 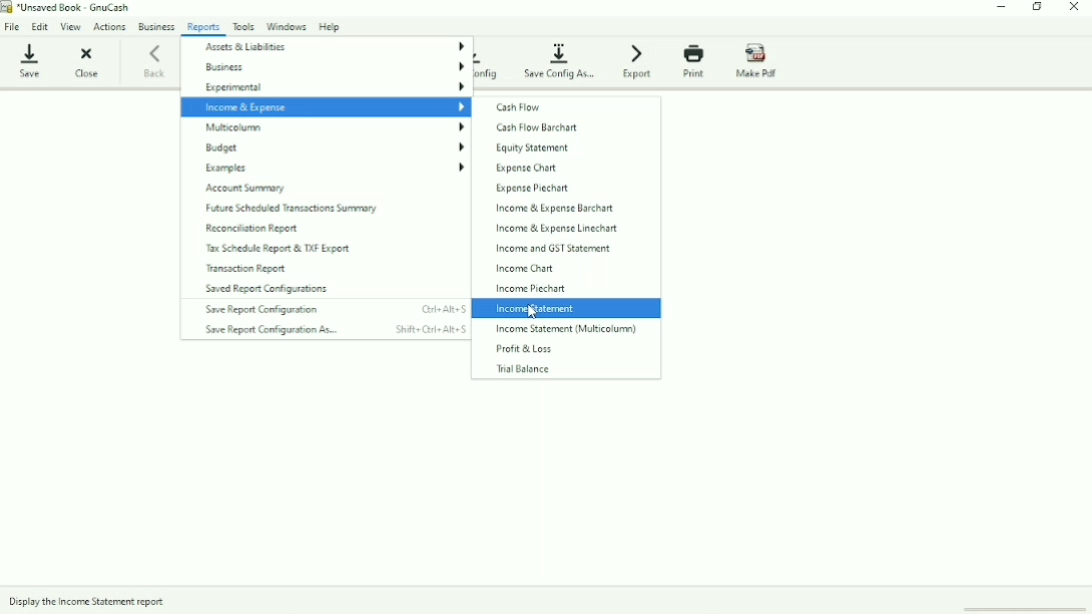 I want to click on Display the income statement report, so click(x=90, y=602).